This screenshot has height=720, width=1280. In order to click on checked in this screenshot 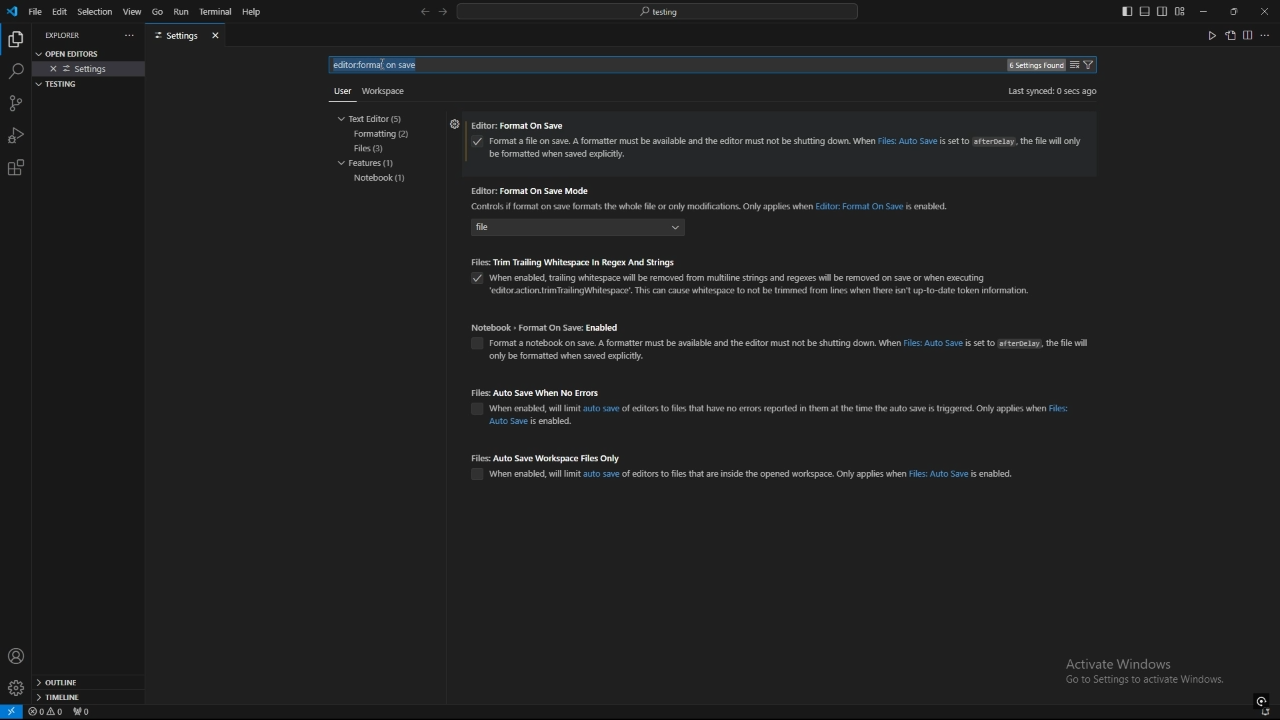, I will do `click(473, 281)`.